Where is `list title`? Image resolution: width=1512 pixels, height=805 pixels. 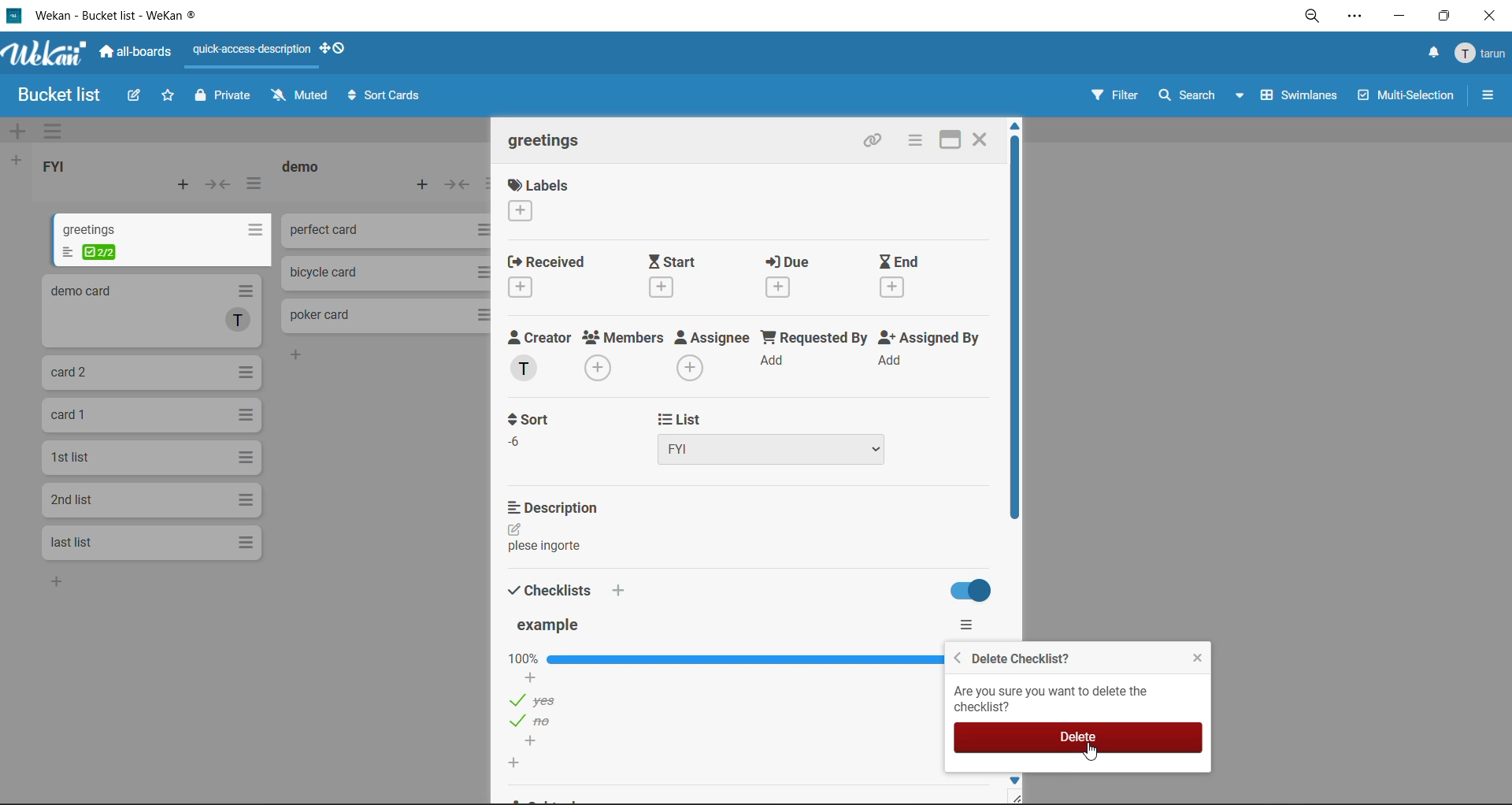
list title is located at coordinates (61, 168).